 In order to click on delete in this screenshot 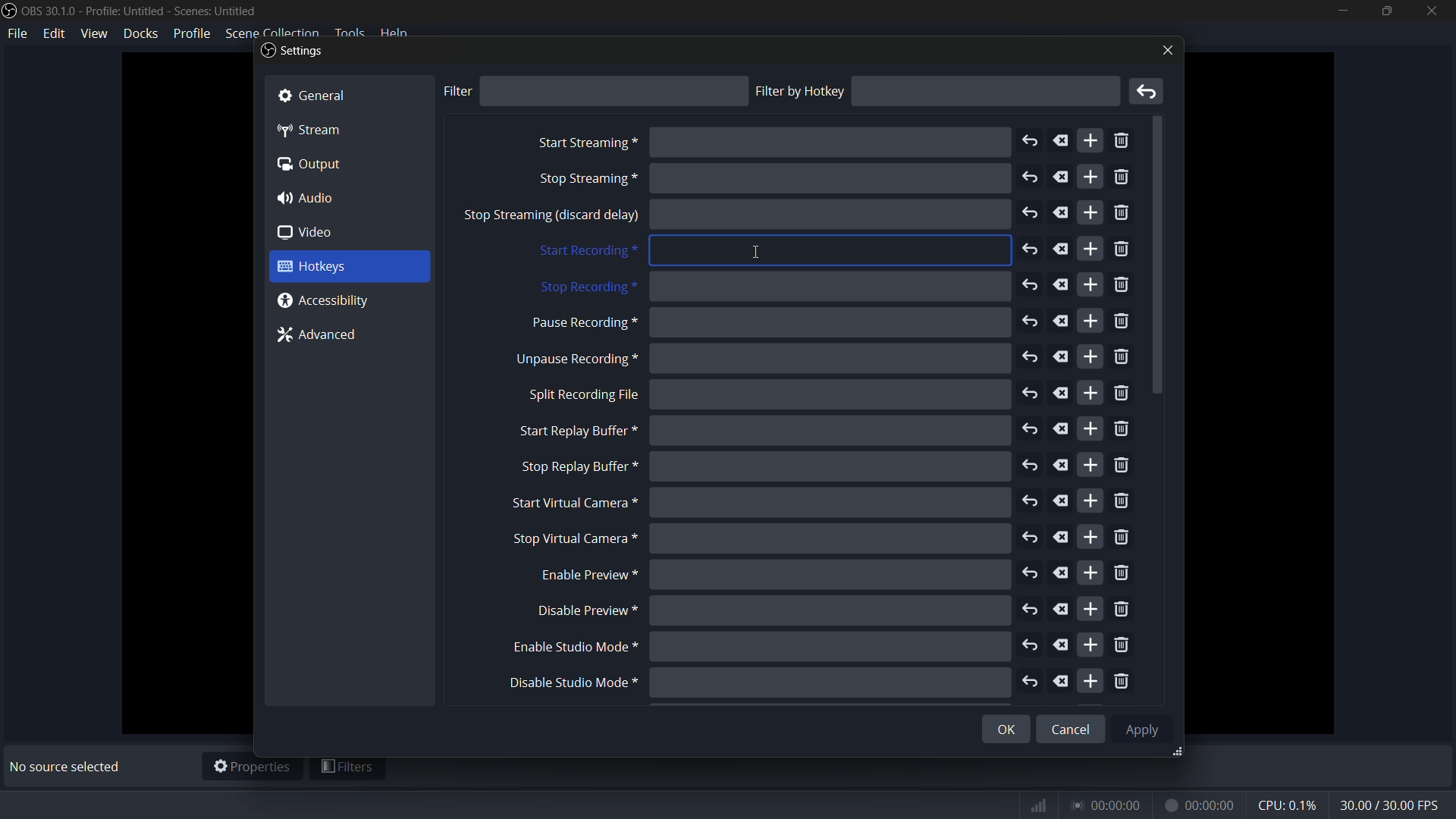, I will do `click(1061, 537)`.